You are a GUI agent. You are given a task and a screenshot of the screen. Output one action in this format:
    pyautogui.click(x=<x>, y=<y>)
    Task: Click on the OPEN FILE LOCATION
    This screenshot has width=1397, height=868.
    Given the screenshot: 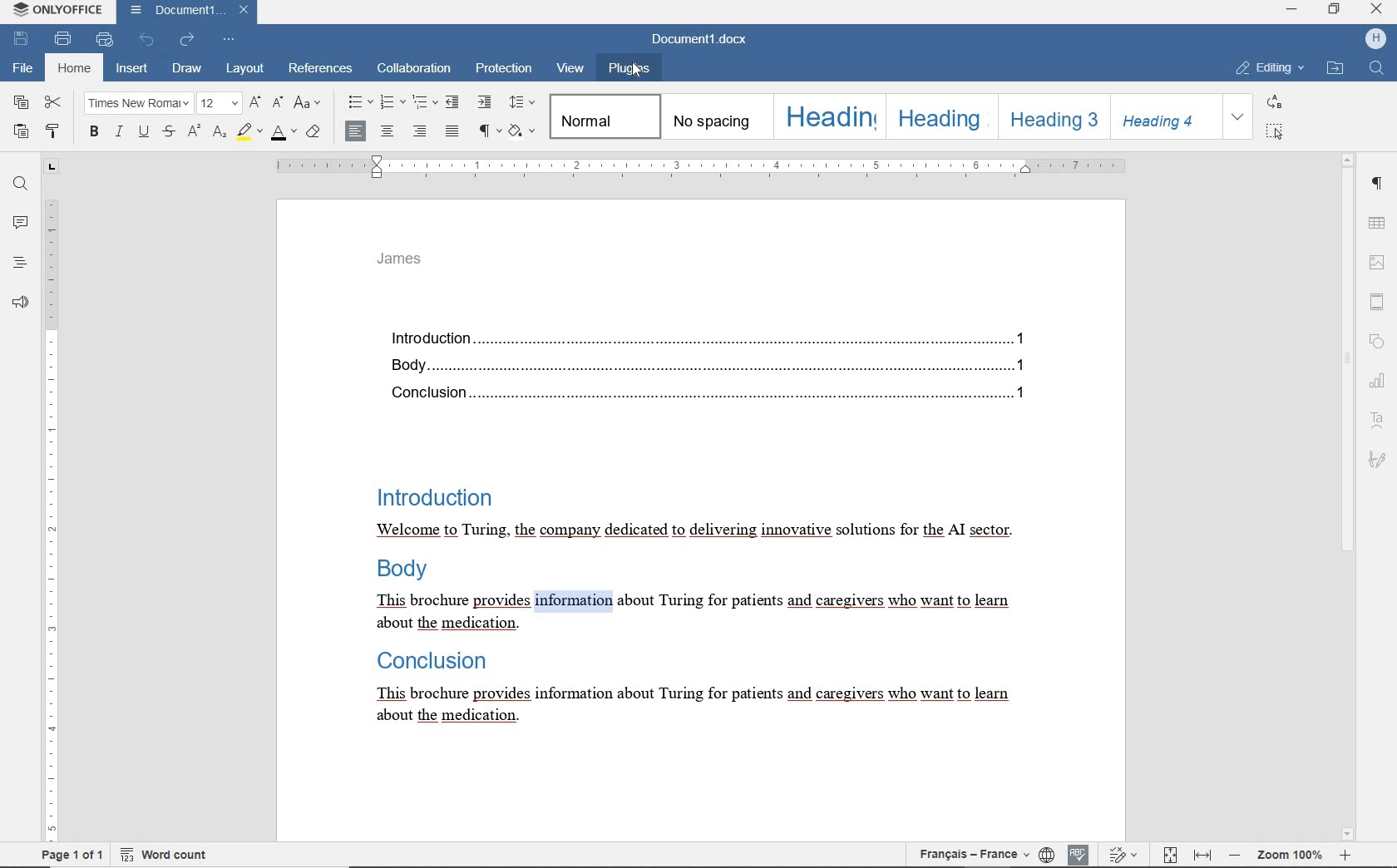 What is the action you would take?
    pyautogui.click(x=1335, y=70)
    